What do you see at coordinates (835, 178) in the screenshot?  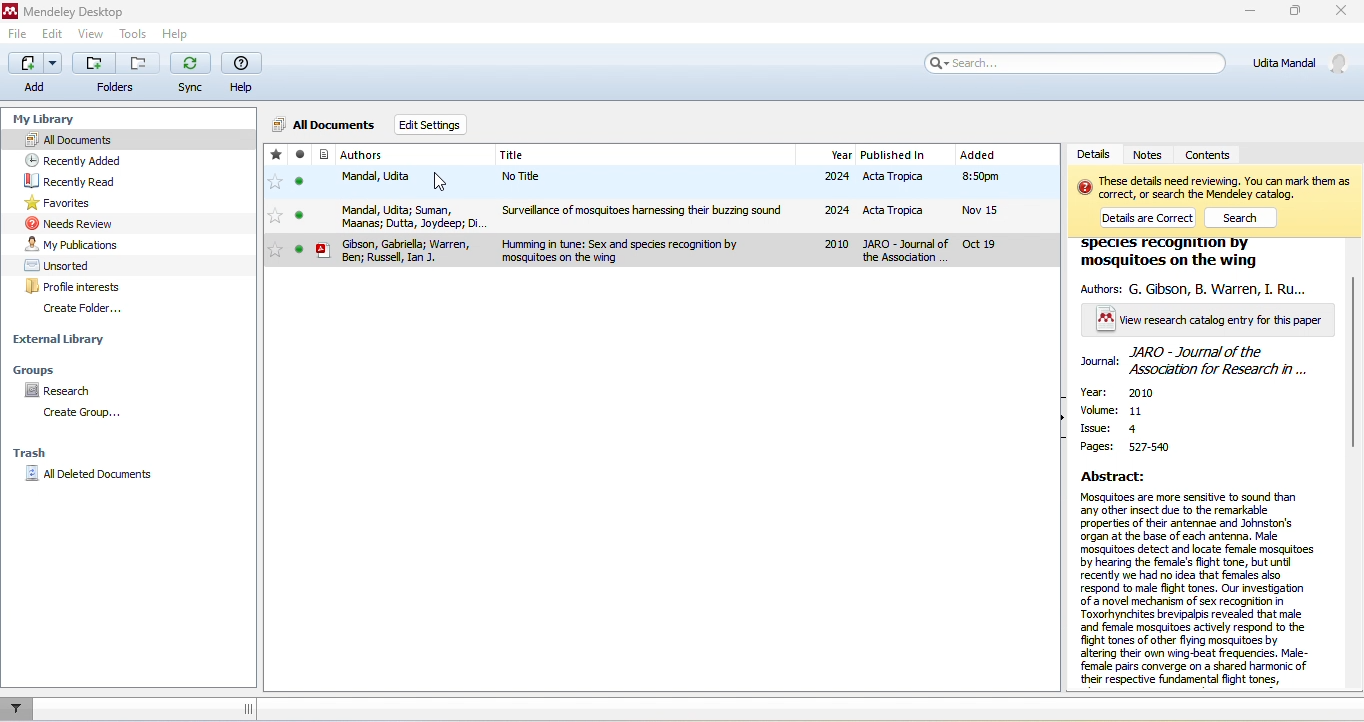 I see `2024` at bounding box center [835, 178].